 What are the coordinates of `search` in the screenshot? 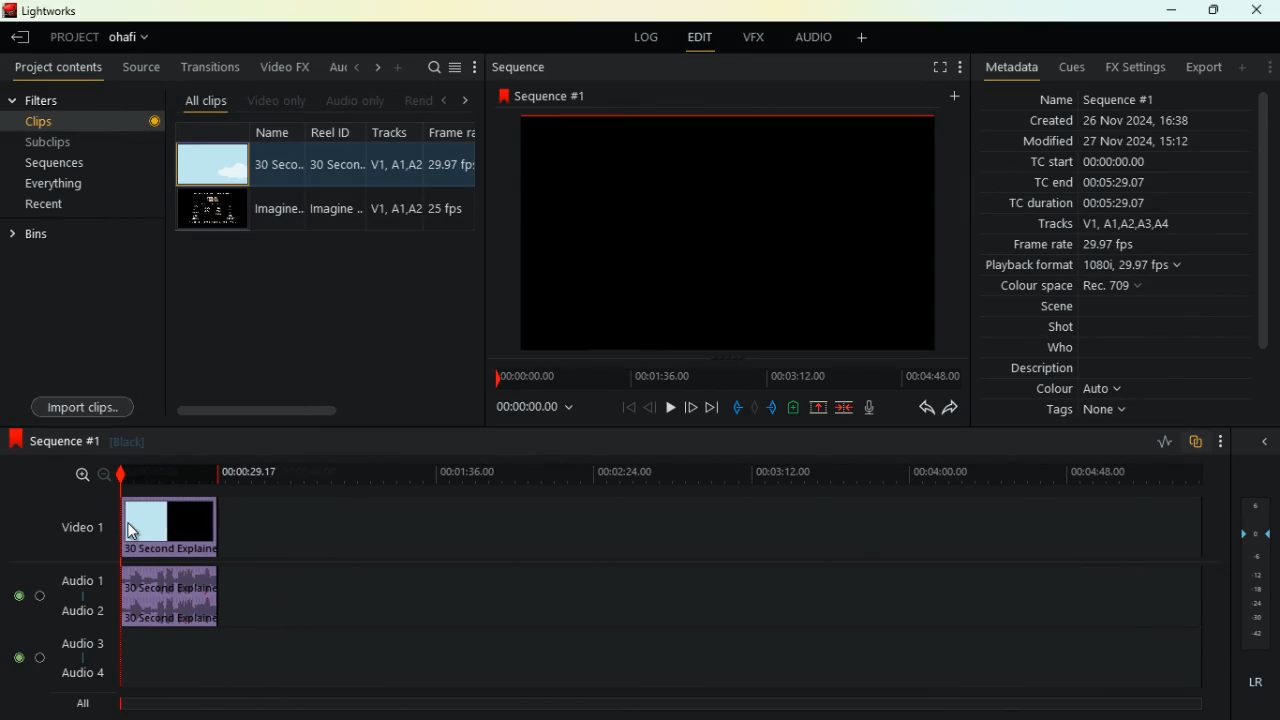 It's located at (432, 68).